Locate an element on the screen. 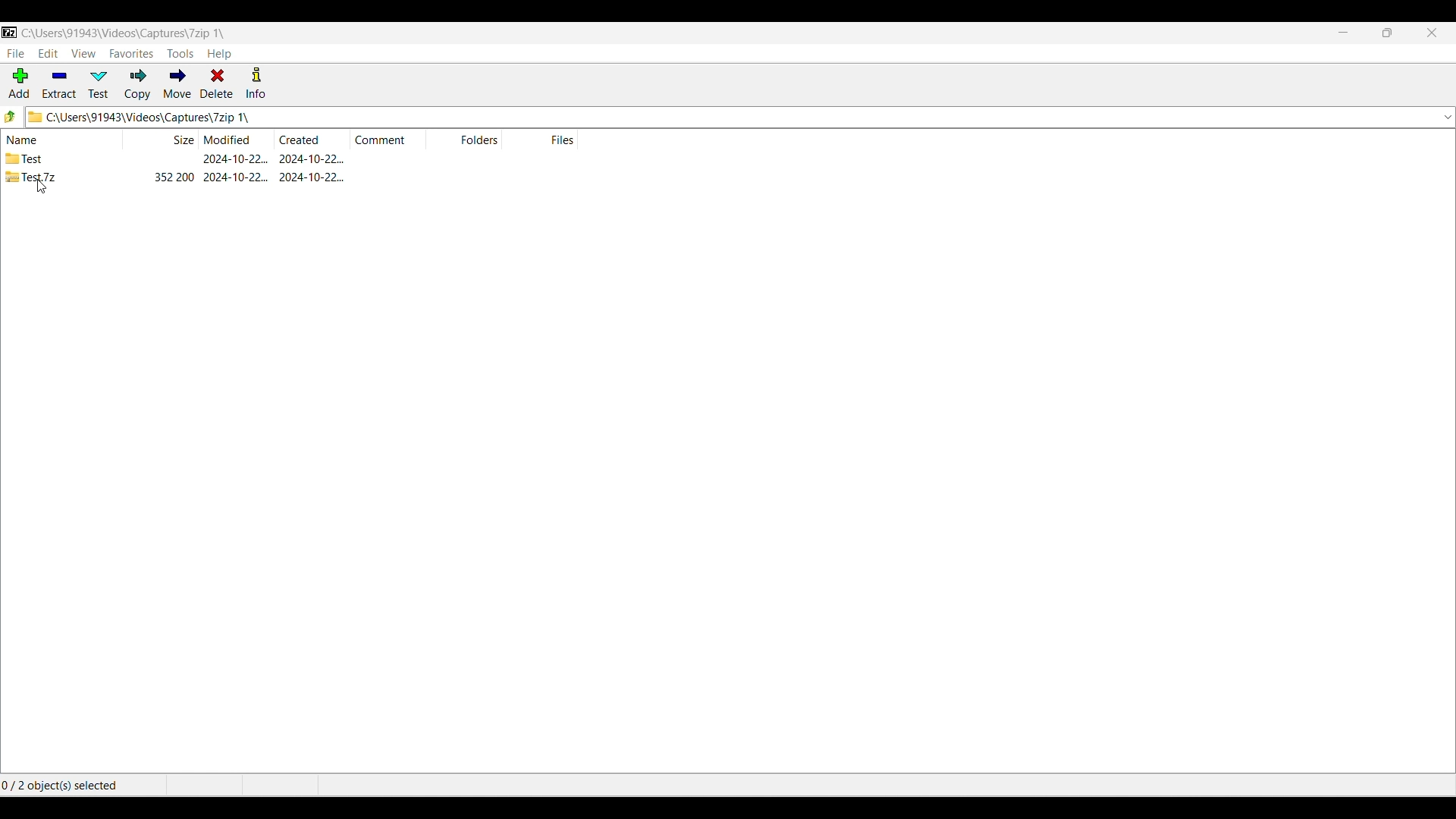 The width and height of the screenshot is (1456, 819). Tools is located at coordinates (180, 54).